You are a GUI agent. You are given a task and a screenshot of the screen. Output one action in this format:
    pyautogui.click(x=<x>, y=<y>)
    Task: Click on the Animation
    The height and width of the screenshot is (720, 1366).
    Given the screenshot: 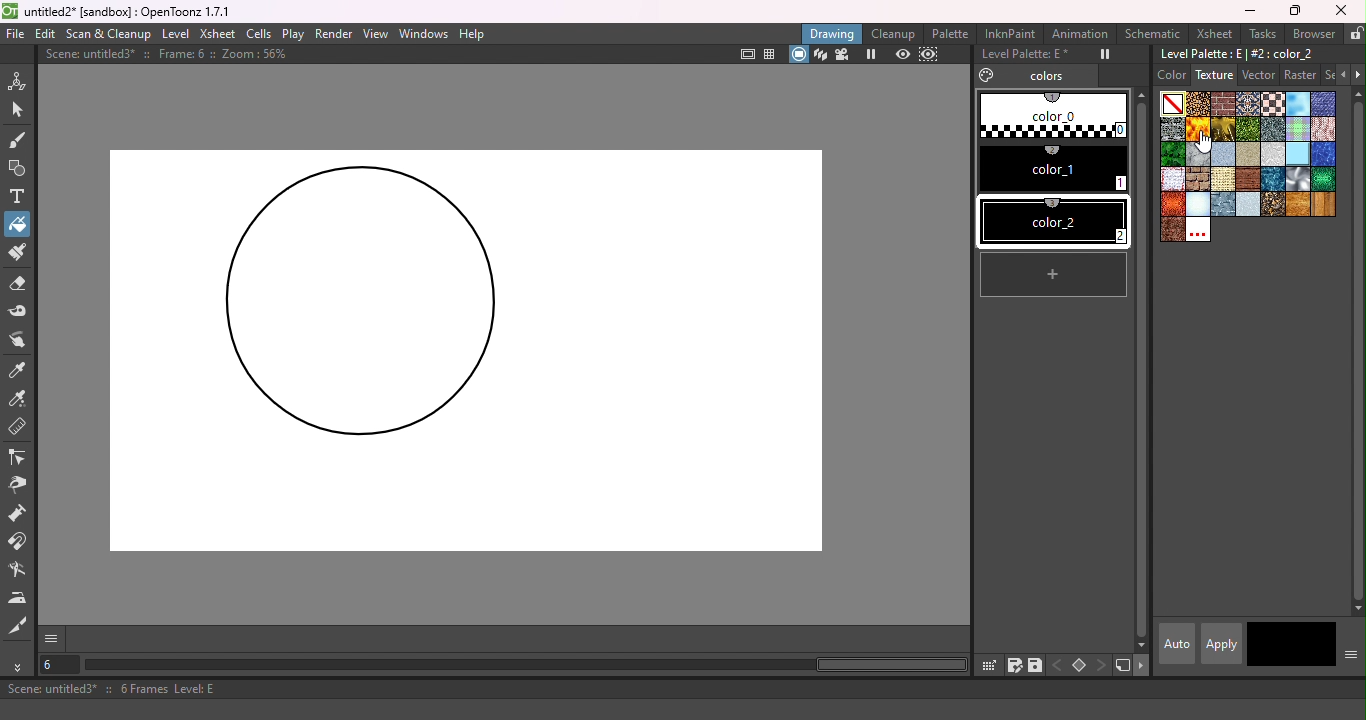 What is the action you would take?
    pyautogui.click(x=1080, y=34)
    